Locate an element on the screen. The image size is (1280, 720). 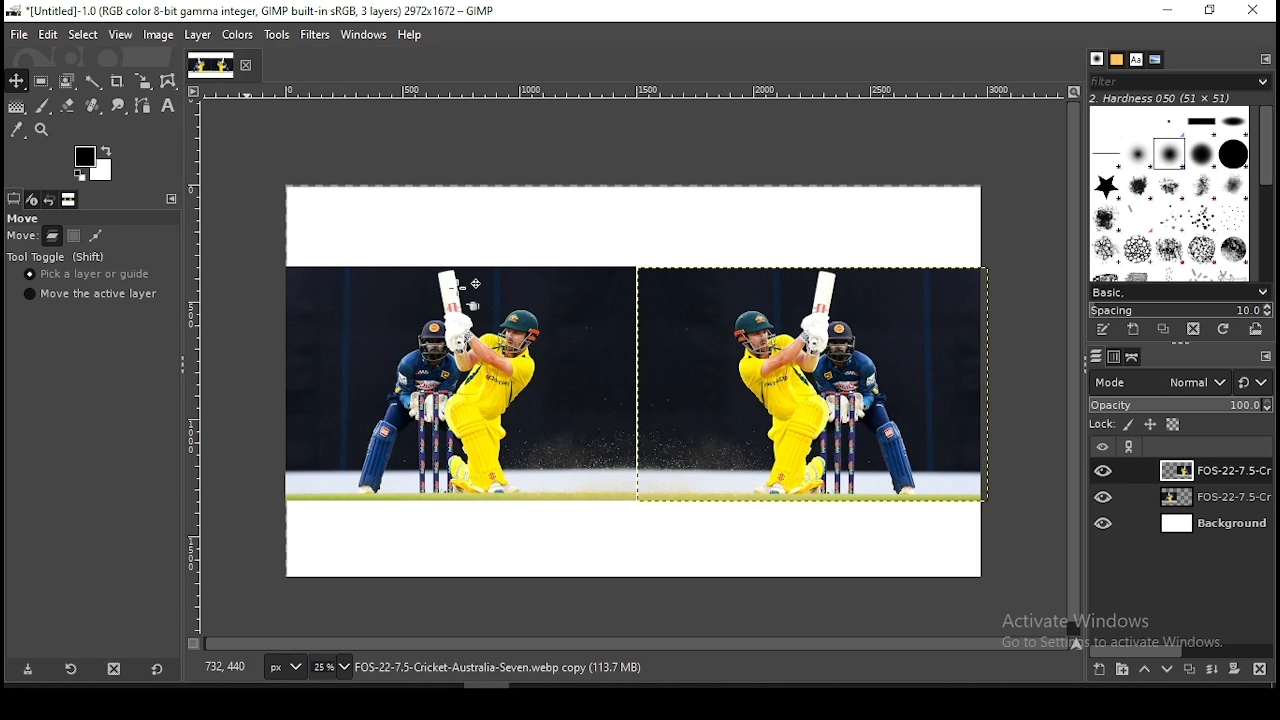
colors is located at coordinates (93, 163).